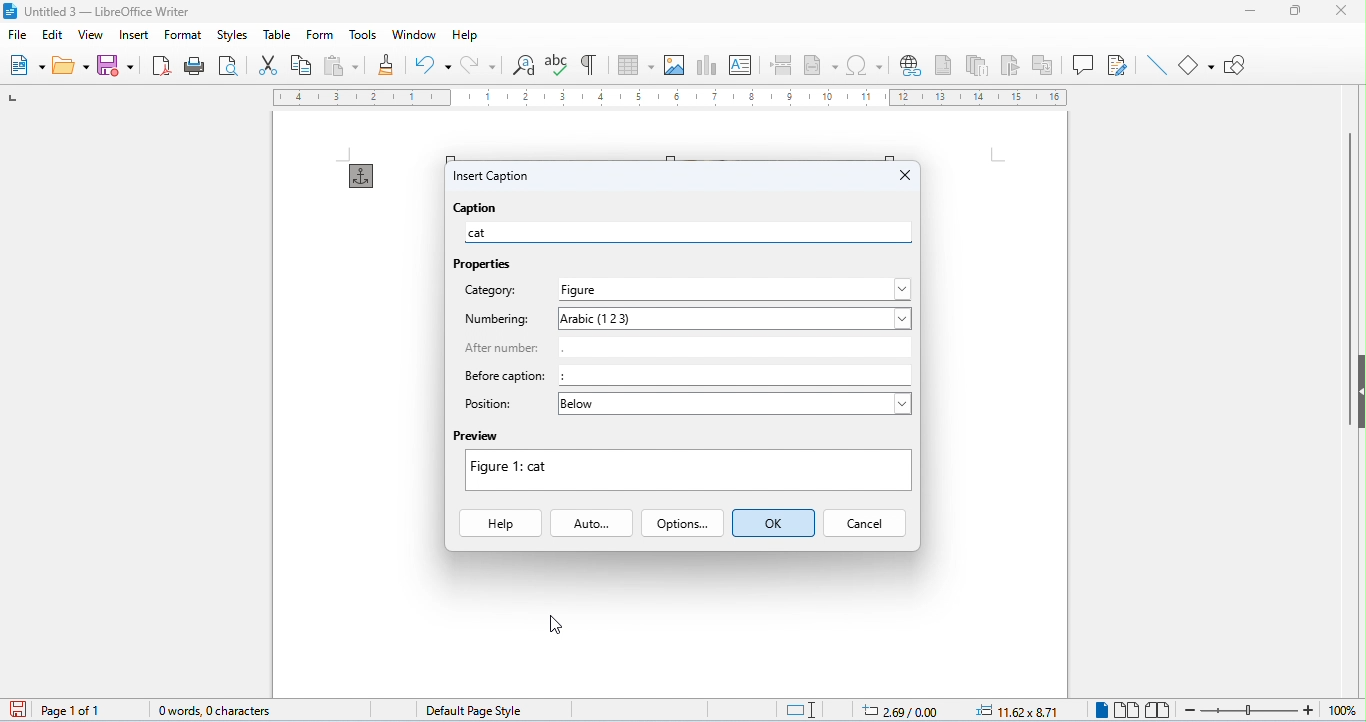 The height and width of the screenshot is (722, 1366). I want to click on category, so click(493, 290).